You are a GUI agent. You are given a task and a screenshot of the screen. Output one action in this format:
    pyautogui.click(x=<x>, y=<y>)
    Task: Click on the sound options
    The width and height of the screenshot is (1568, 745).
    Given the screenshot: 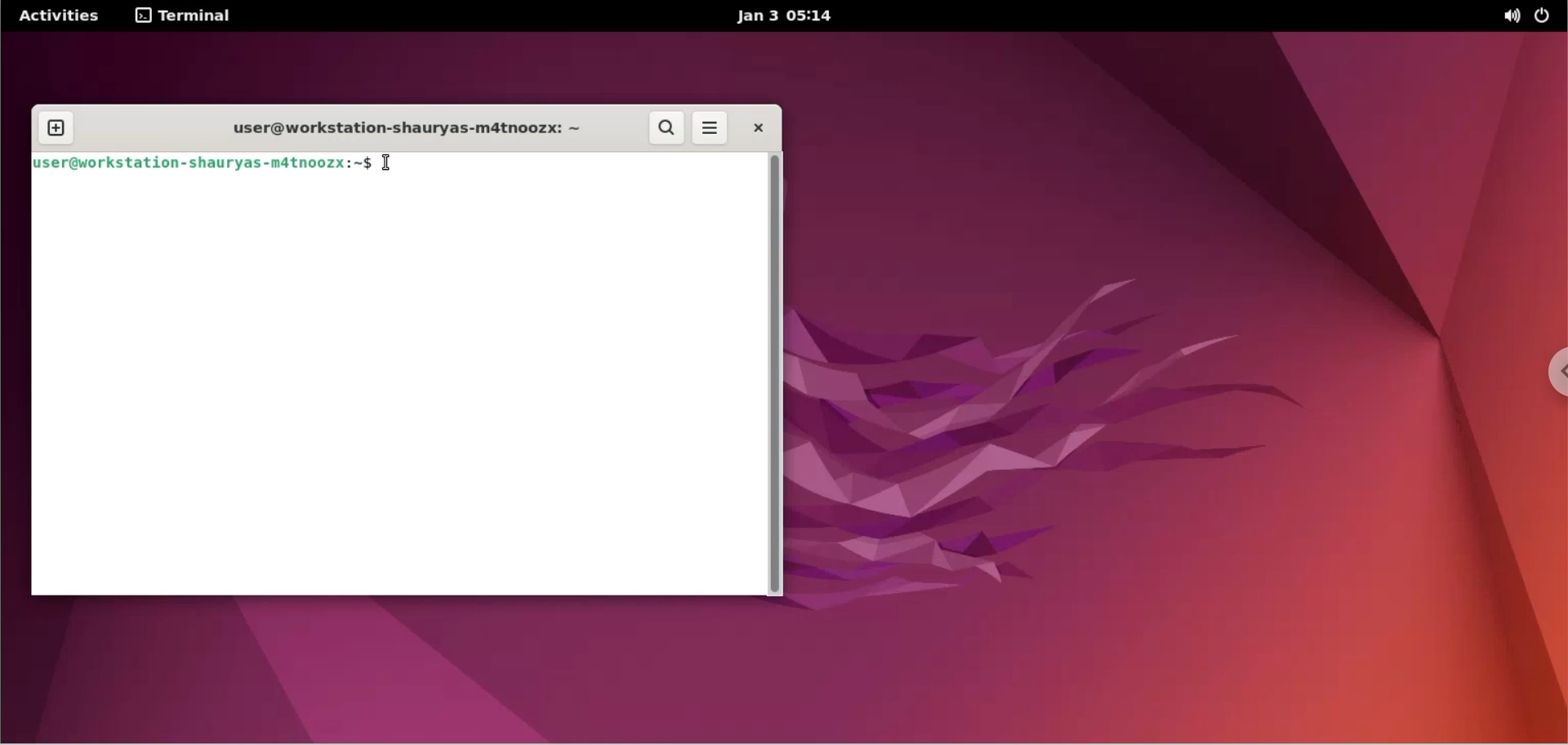 What is the action you would take?
    pyautogui.click(x=1510, y=16)
    